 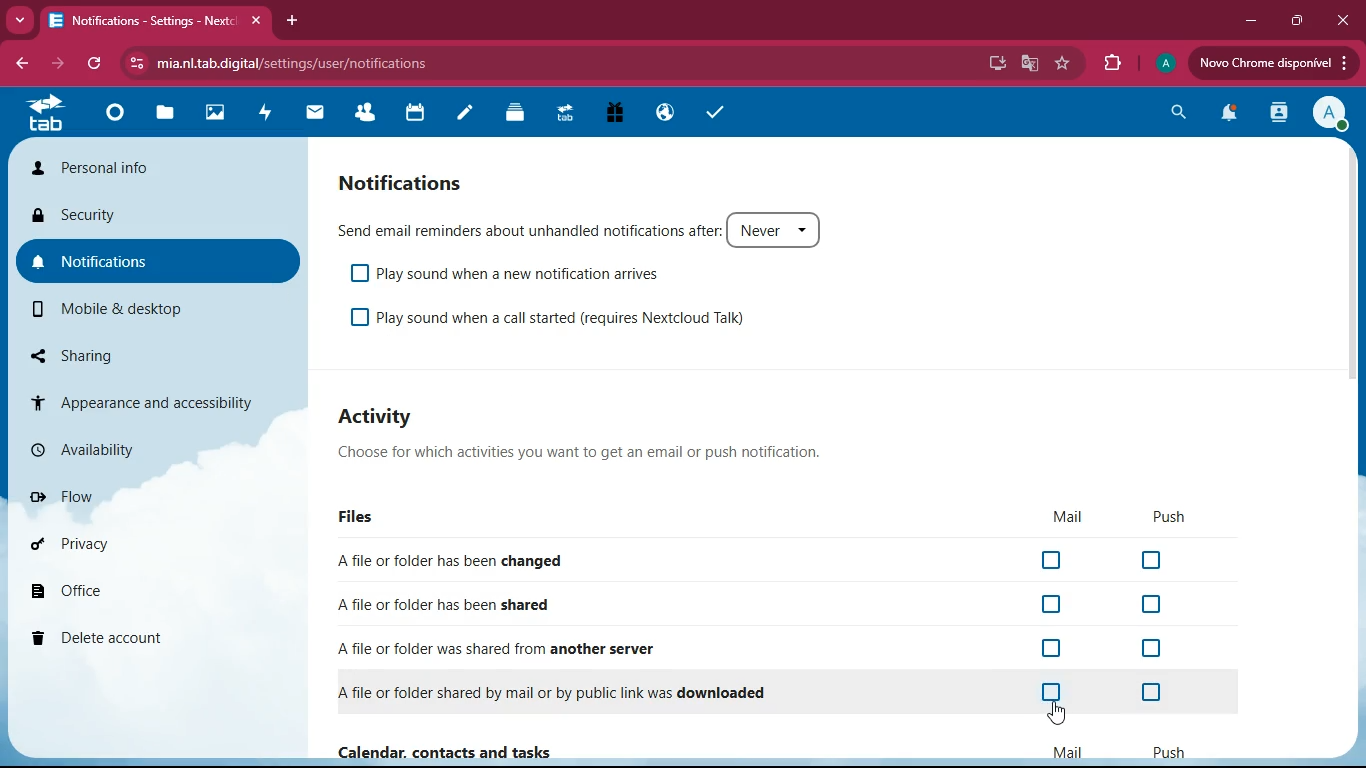 What do you see at coordinates (464, 115) in the screenshot?
I see `notes` at bounding box center [464, 115].